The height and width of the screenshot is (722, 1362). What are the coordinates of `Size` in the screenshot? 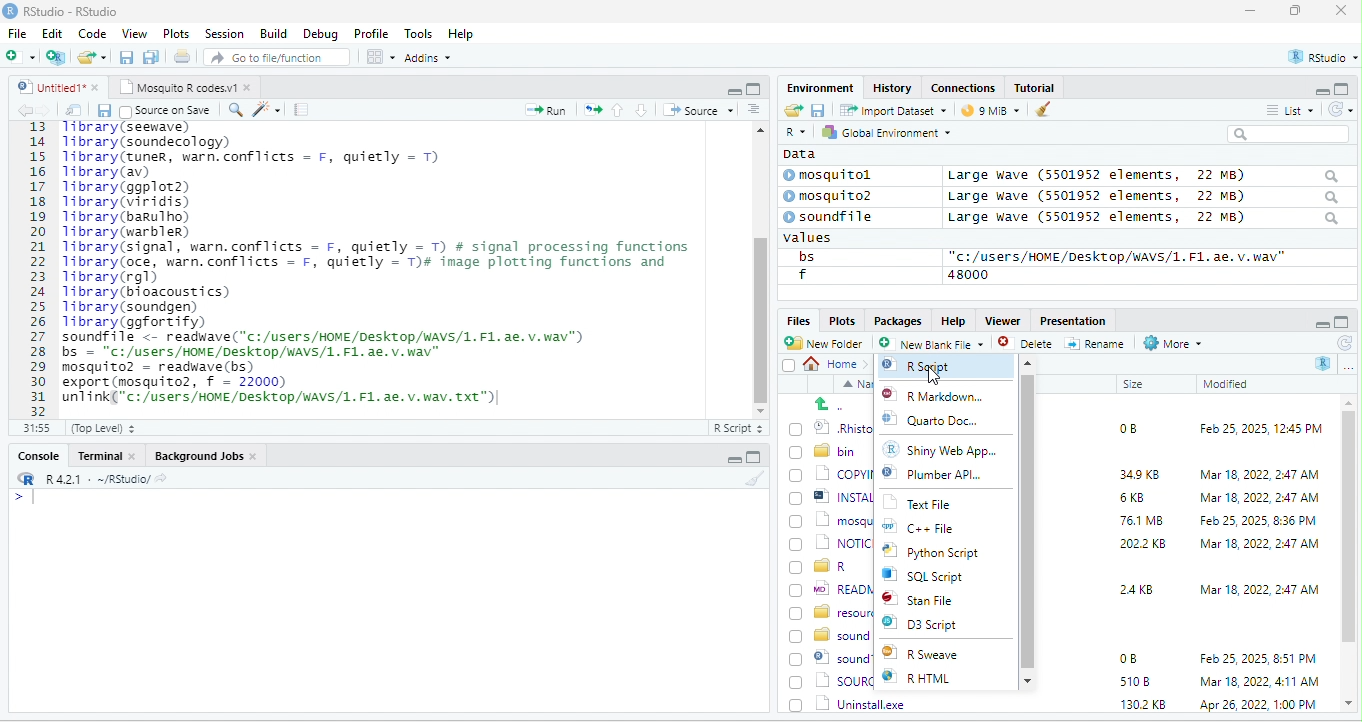 It's located at (1134, 385).